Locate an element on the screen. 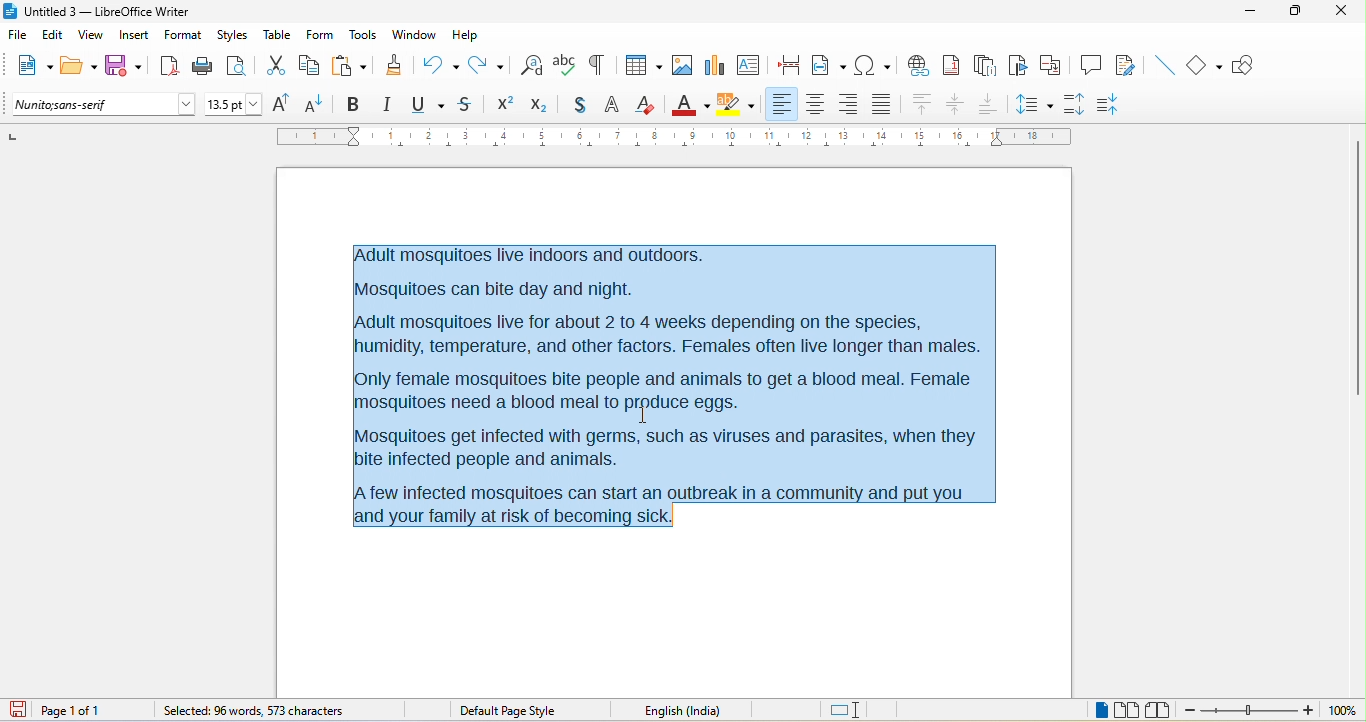 The height and width of the screenshot is (722, 1366). cut is located at coordinates (280, 66).